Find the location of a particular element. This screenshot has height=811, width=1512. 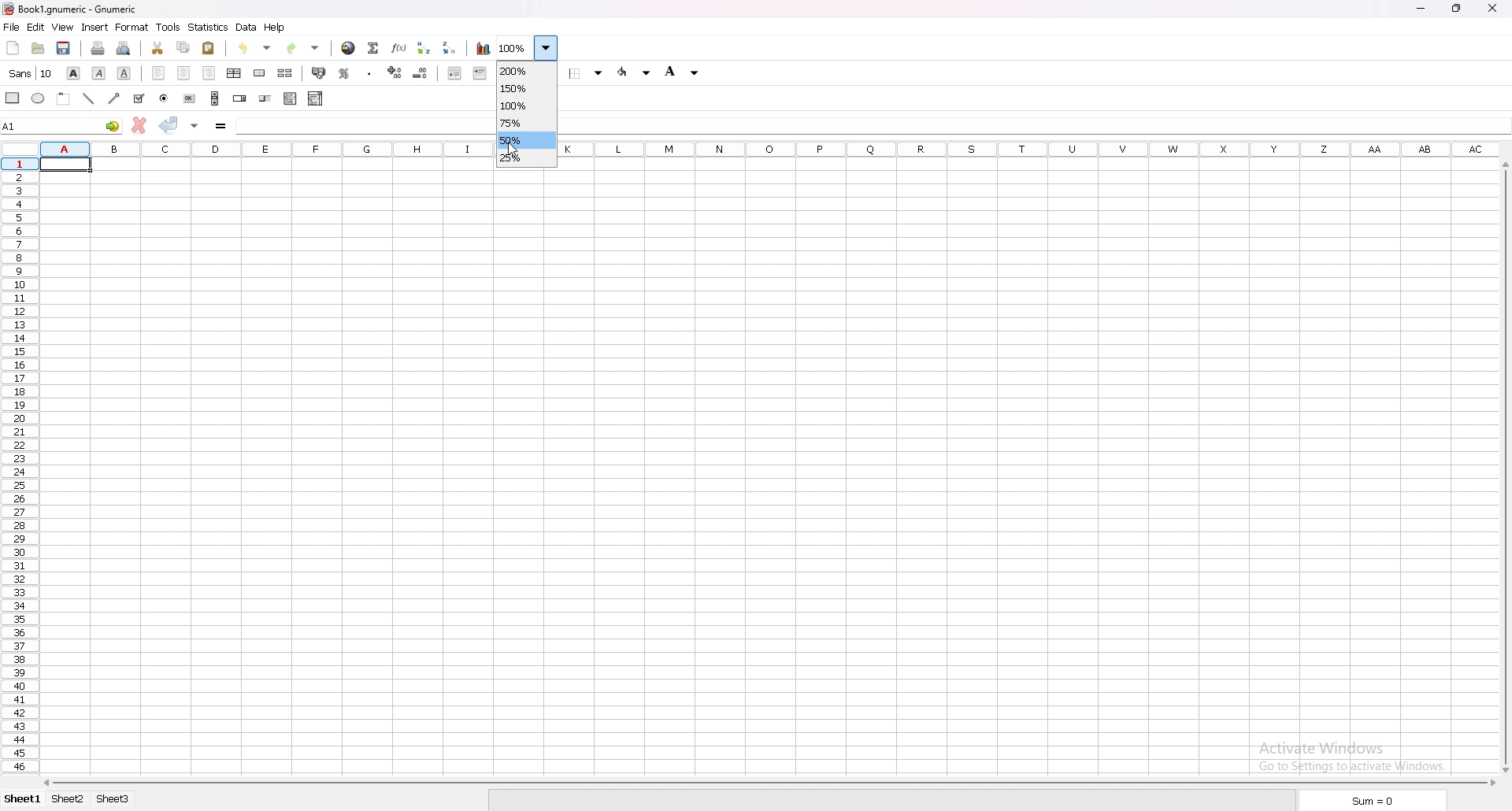

left align is located at coordinates (158, 73).